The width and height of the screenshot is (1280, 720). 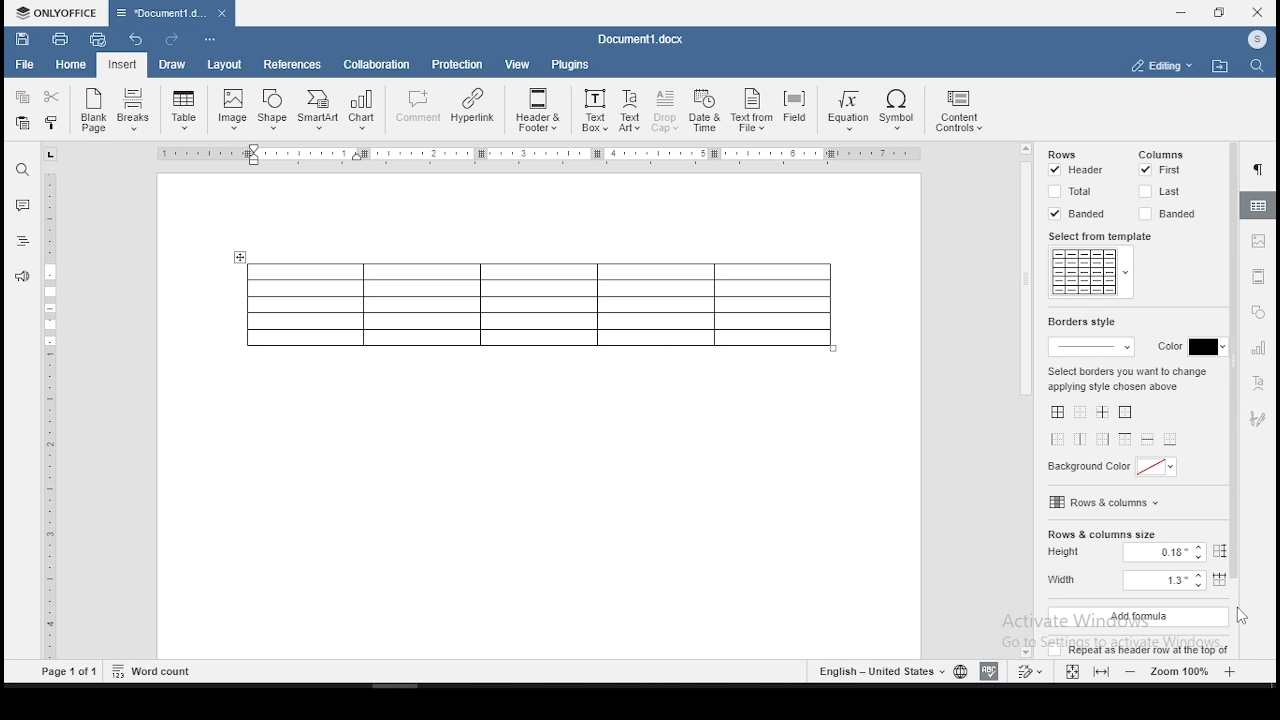 What do you see at coordinates (593, 111) in the screenshot?
I see `Text Box` at bounding box center [593, 111].